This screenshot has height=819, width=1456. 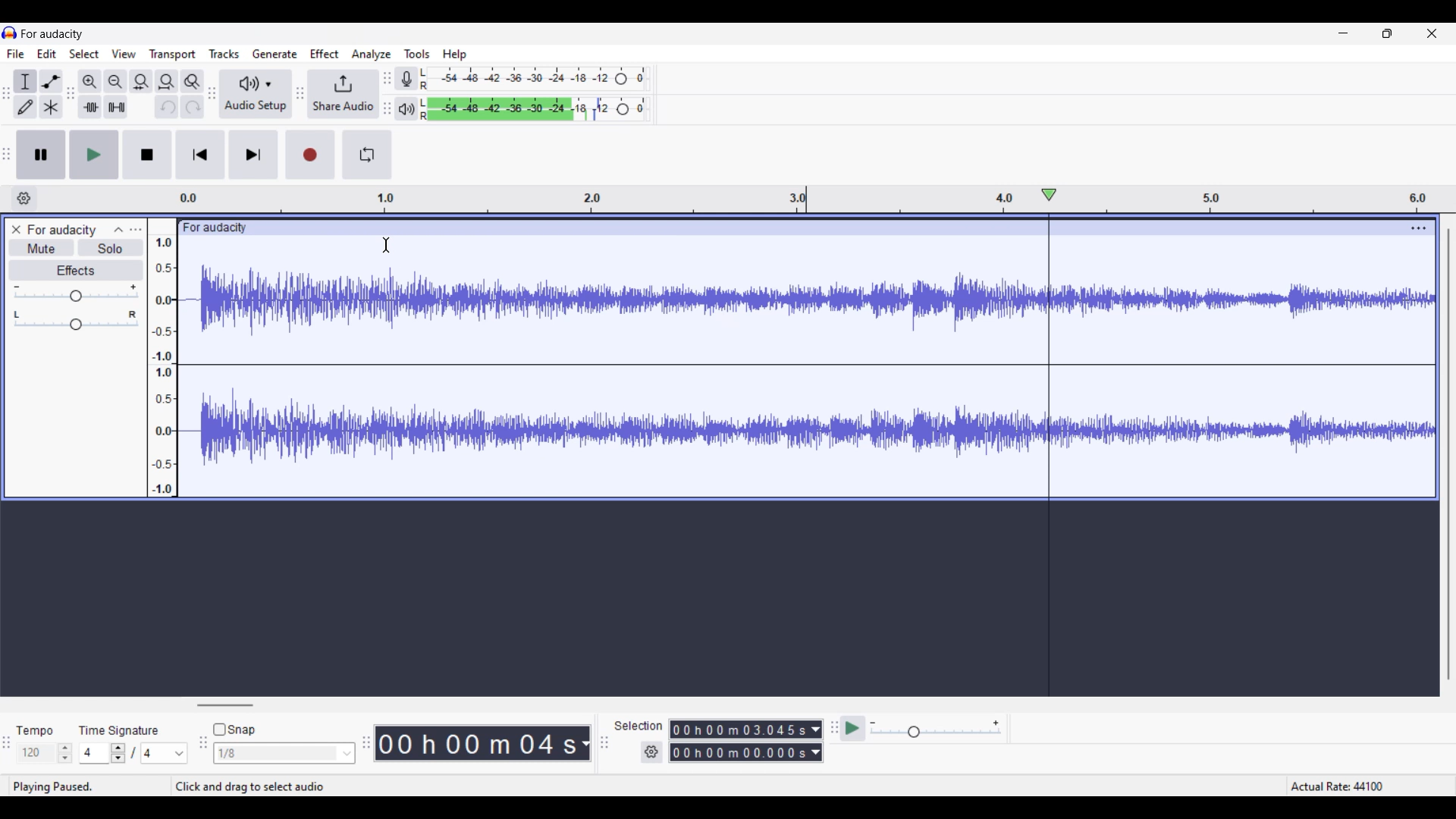 I want to click on Transport menu, so click(x=173, y=55).